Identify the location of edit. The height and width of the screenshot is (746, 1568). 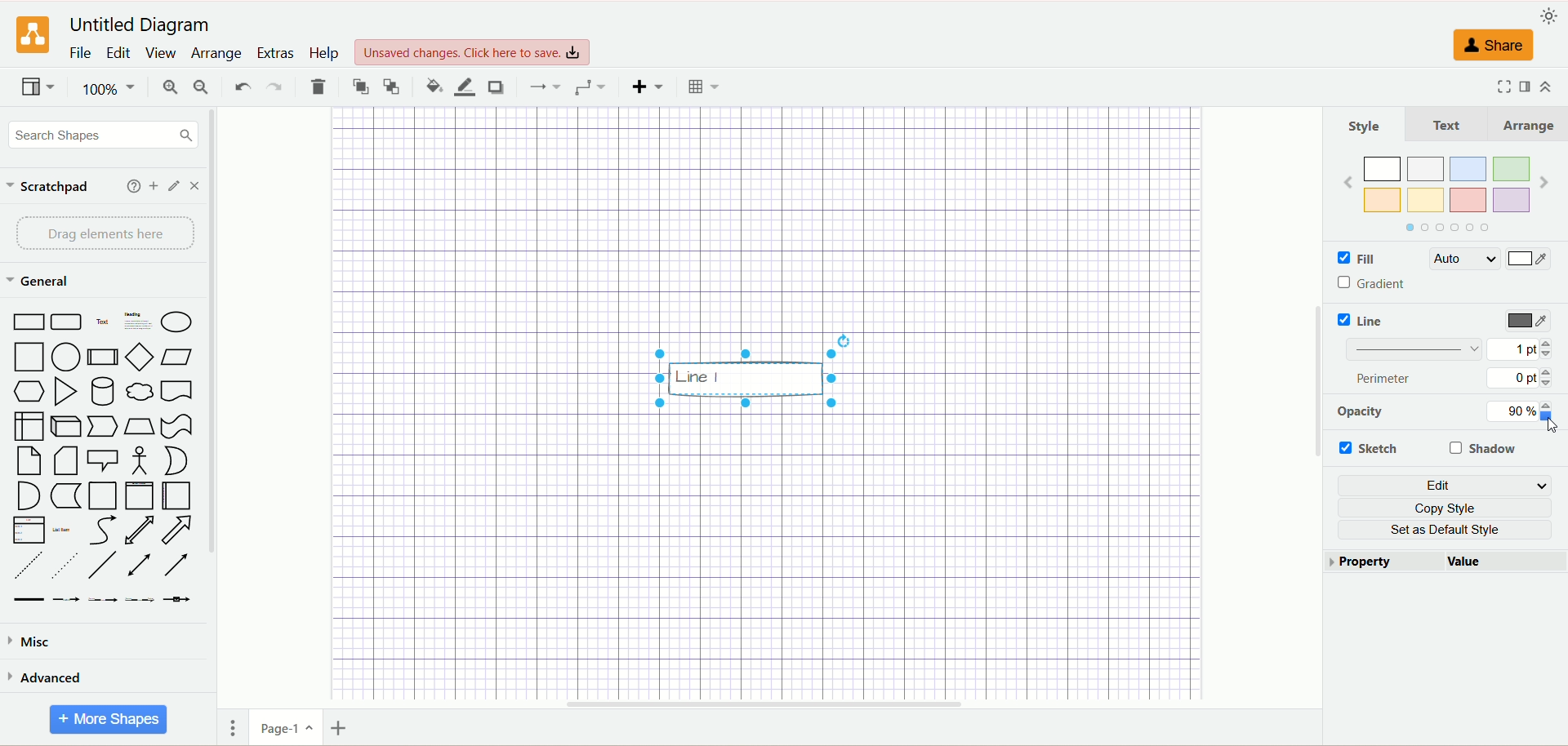
(1443, 484).